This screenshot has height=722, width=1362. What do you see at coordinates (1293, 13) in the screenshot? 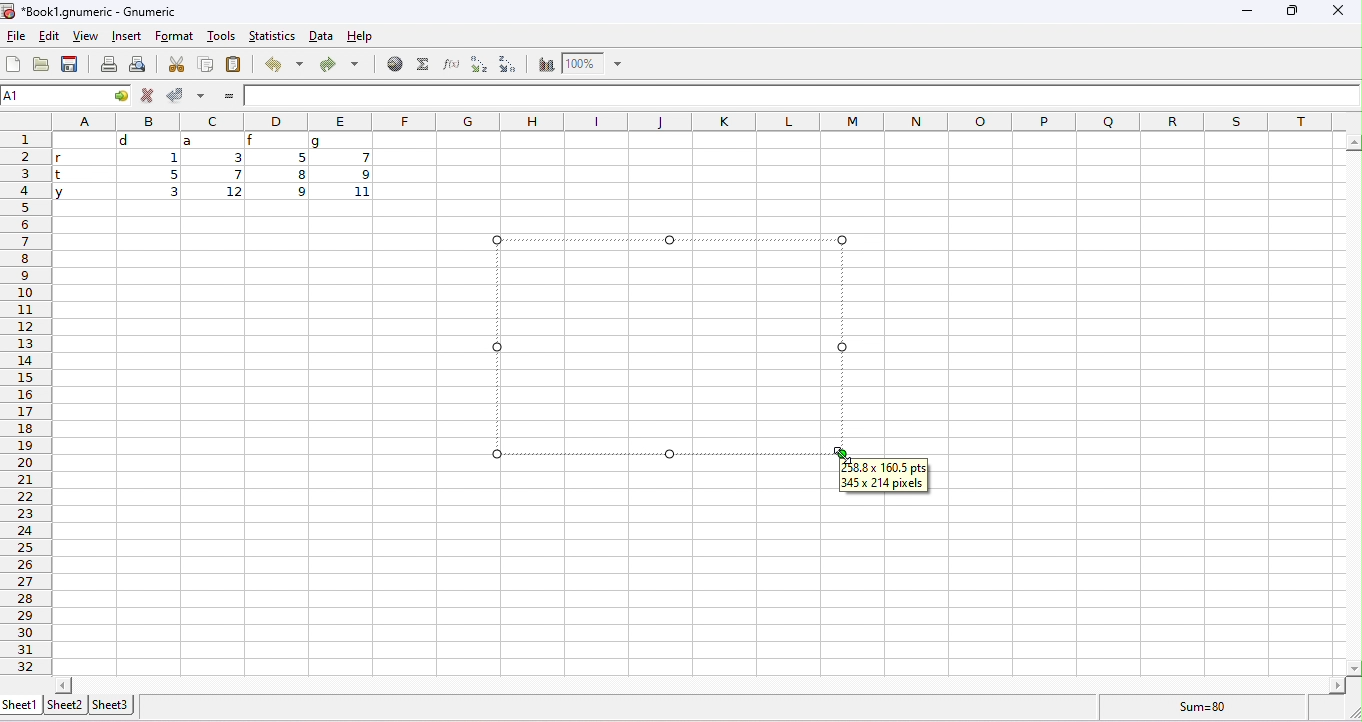
I see `maximize` at bounding box center [1293, 13].